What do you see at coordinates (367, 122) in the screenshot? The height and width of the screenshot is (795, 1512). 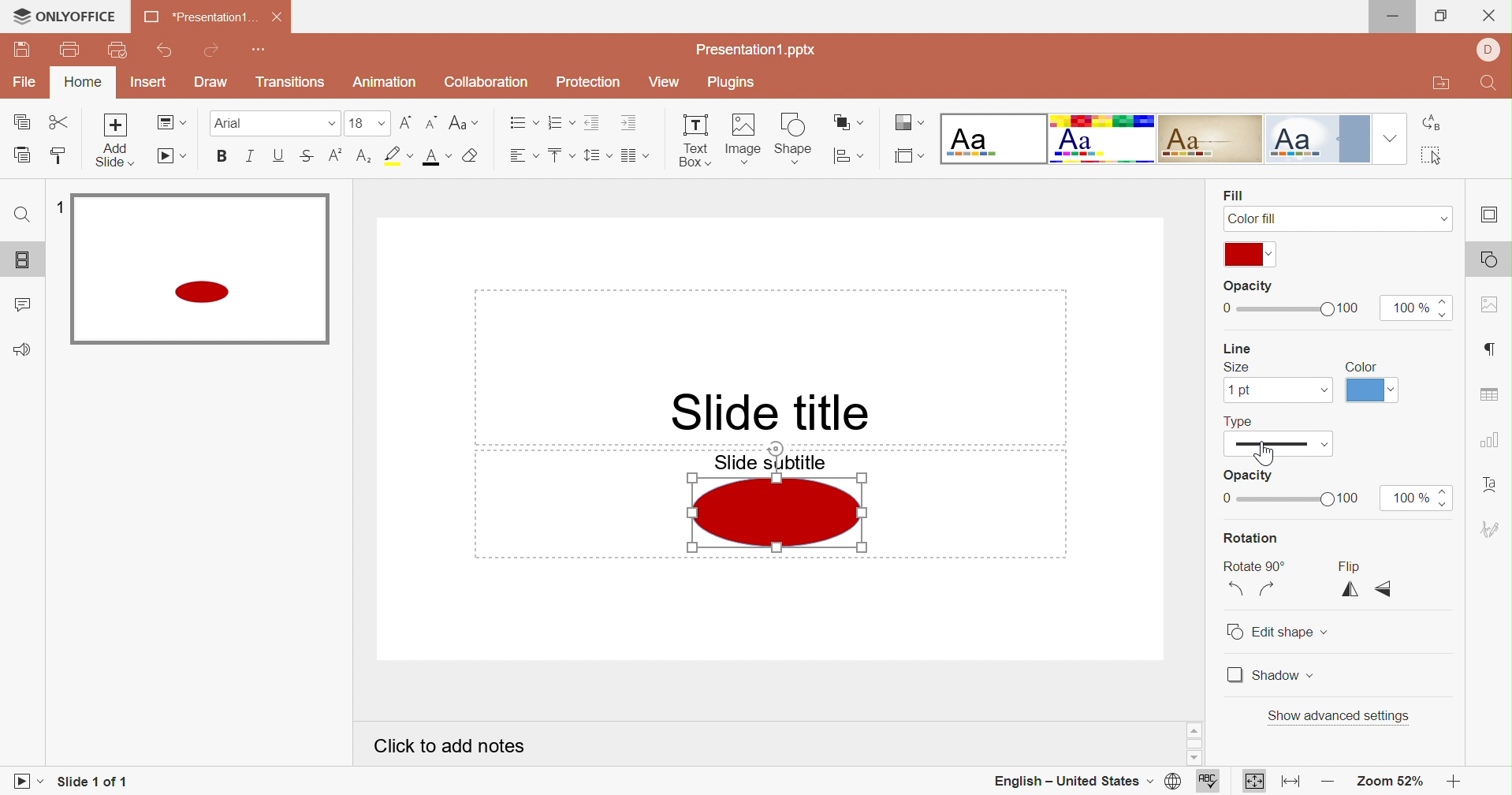 I see `Font size 18` at bounding box center [367, 122].